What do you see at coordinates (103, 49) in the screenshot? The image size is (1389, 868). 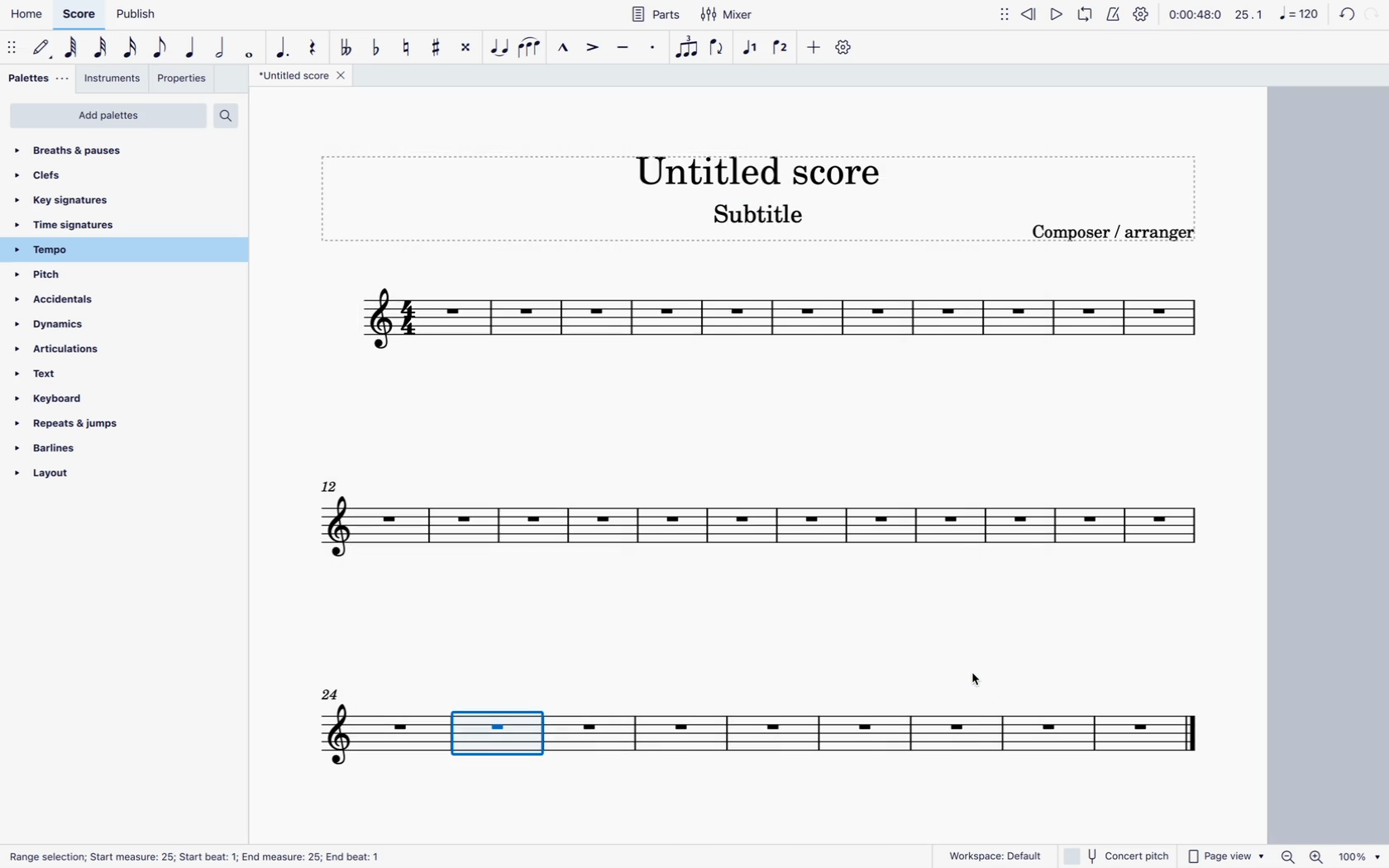 I see `32nd note` at bounding box center [103, 49].